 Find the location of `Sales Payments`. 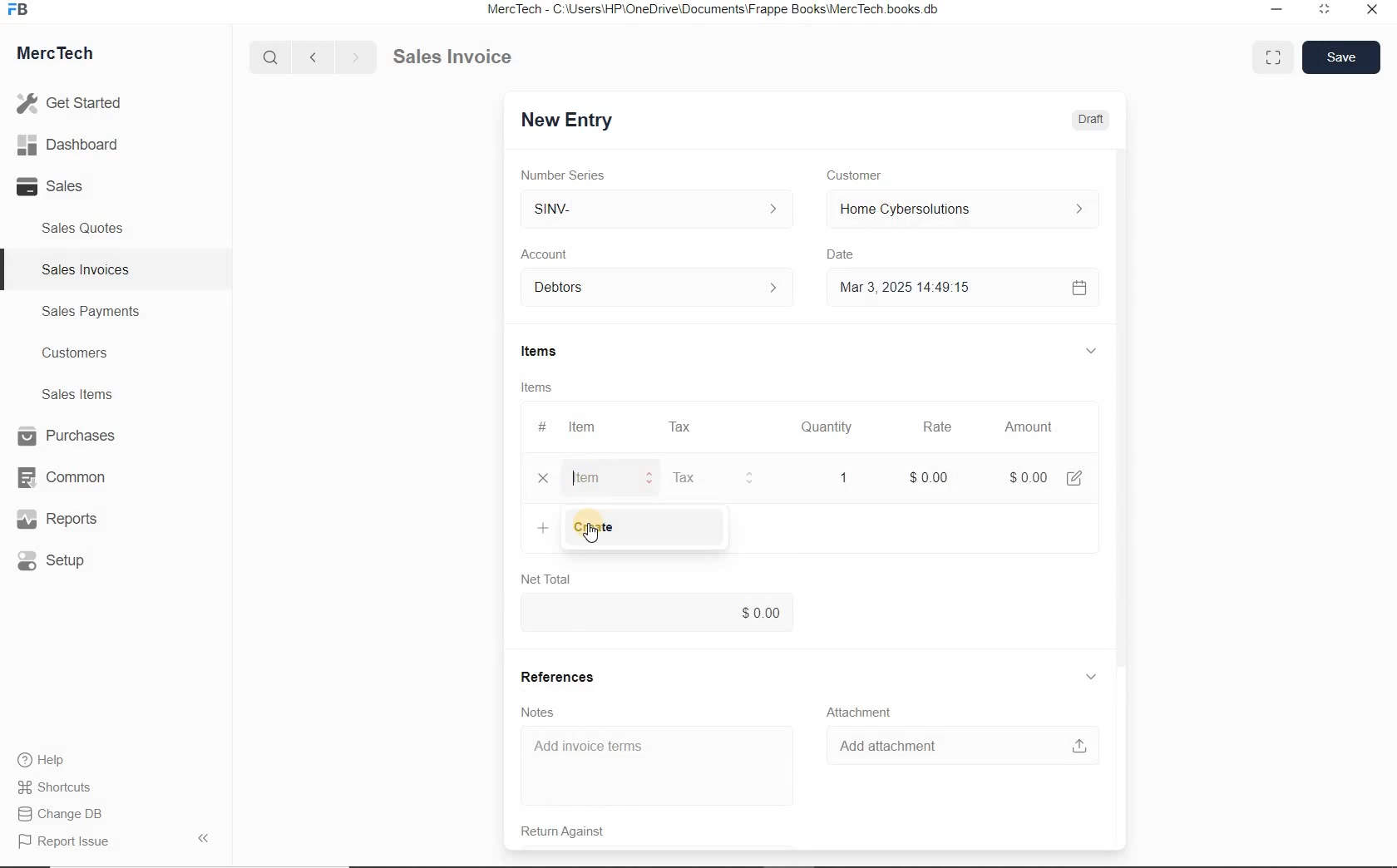

Sales Payments is located at coordinates (88, 312).